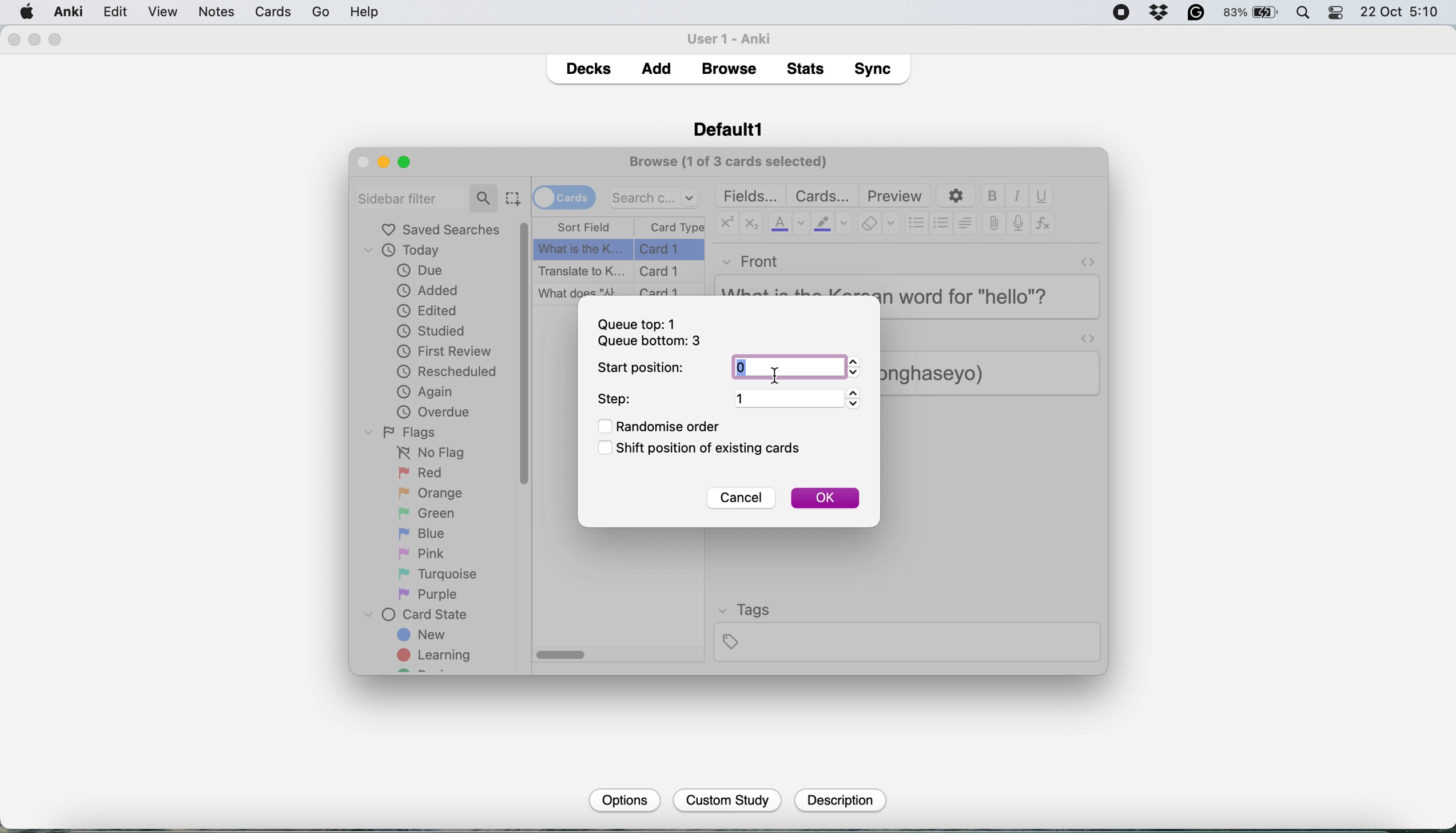  I want to click on subscript, so click(749, 225).